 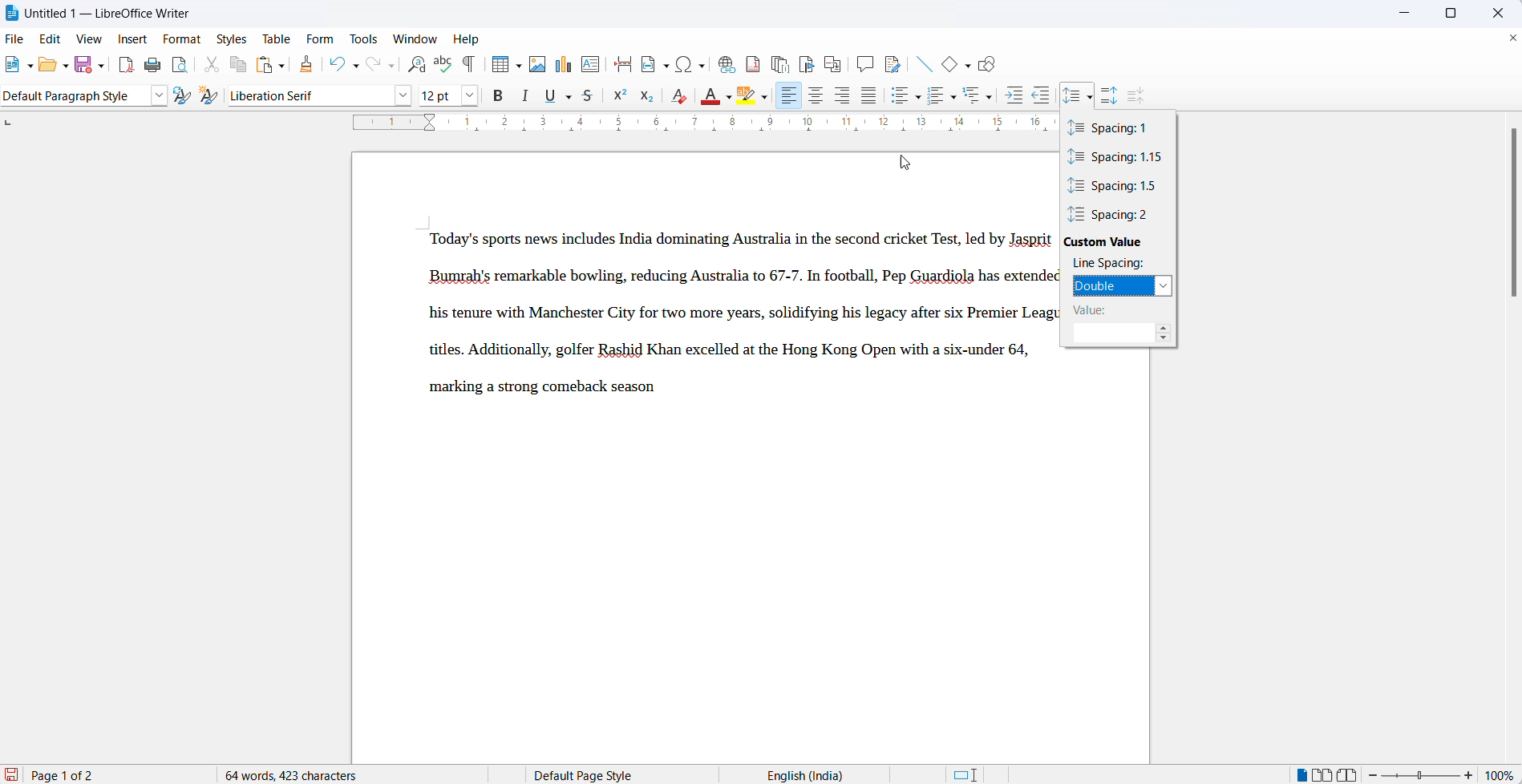 I want to click on insert hyperlink, so click(x=723, y=63).